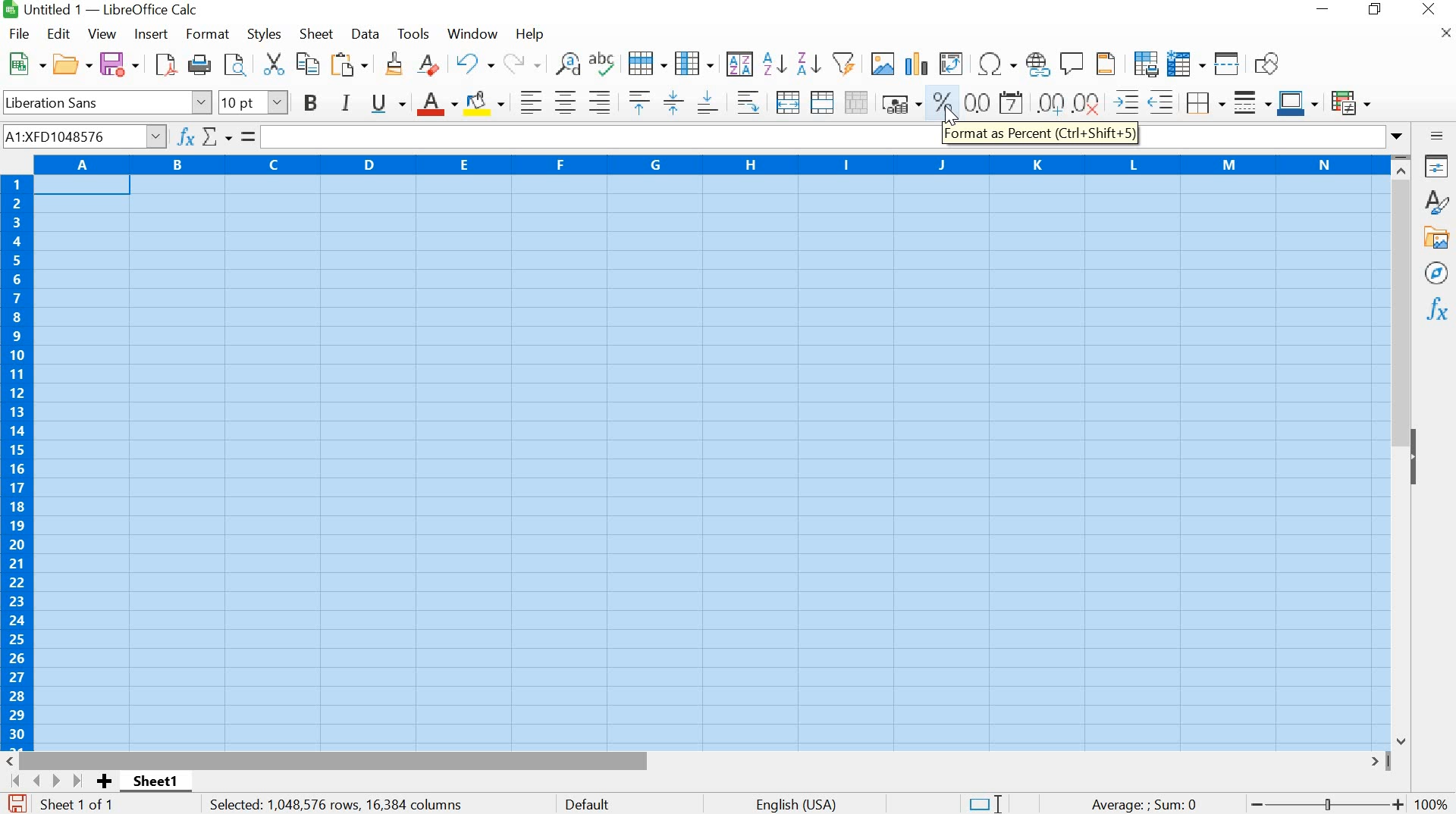 The width and height of the screenshot is (1456, 814). What do you see at coordinates (568, 64) in the screenshot?
I see `Find and Replace` at bounding box center [568, 64].